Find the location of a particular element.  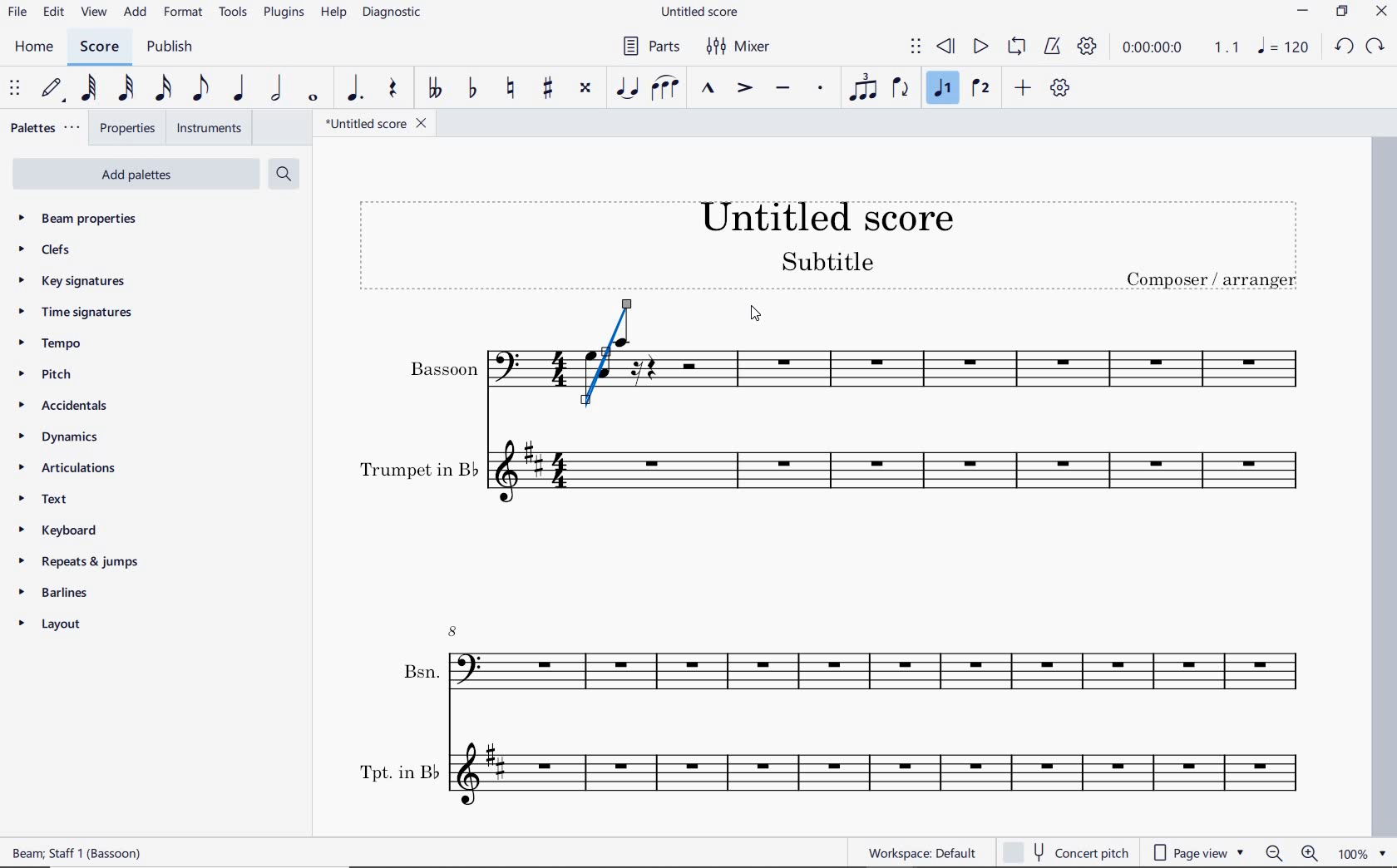

marcato is located at coordinates (710, 89).